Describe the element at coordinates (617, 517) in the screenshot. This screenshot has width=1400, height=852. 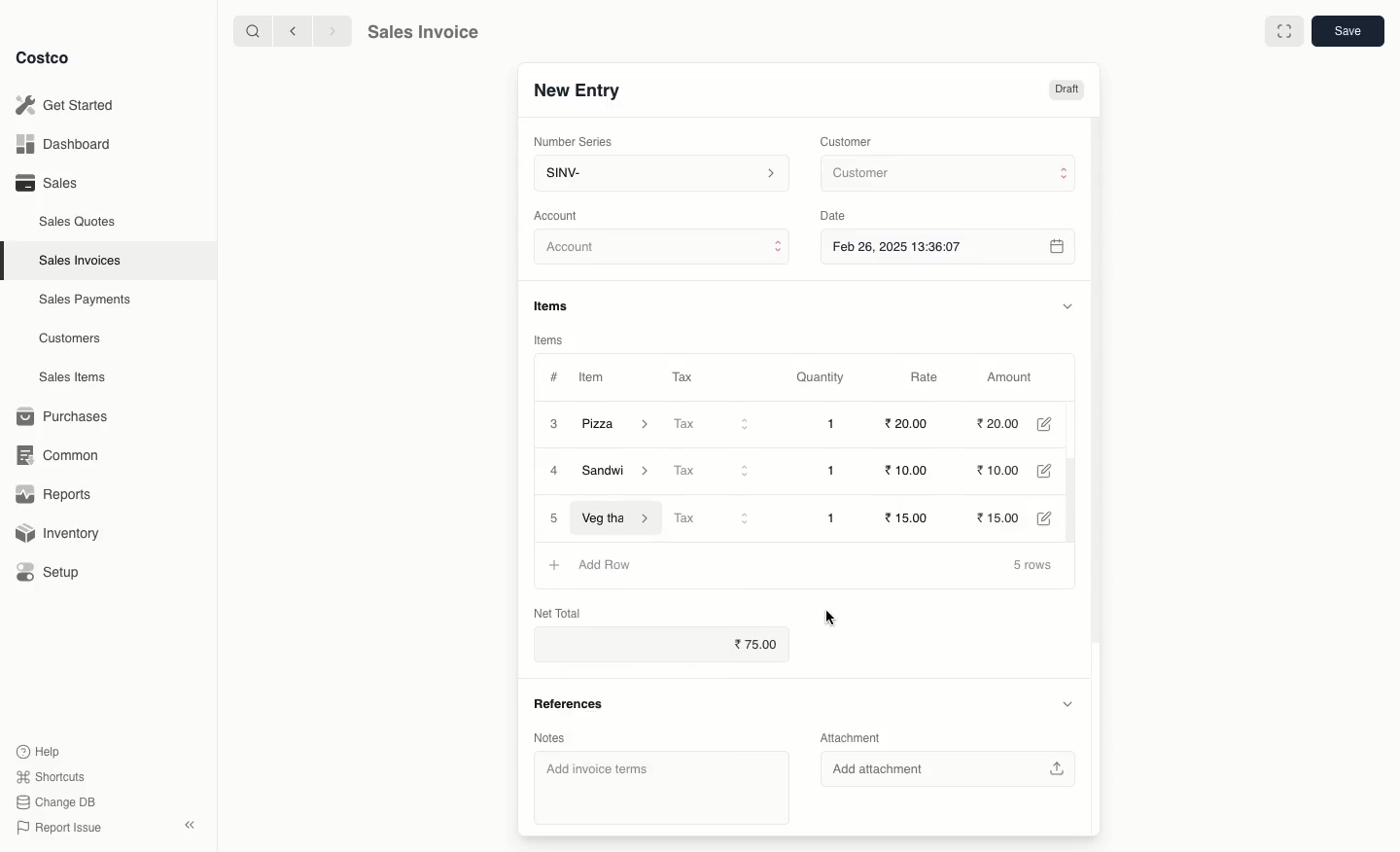
I see `Veg Thali` at that location.